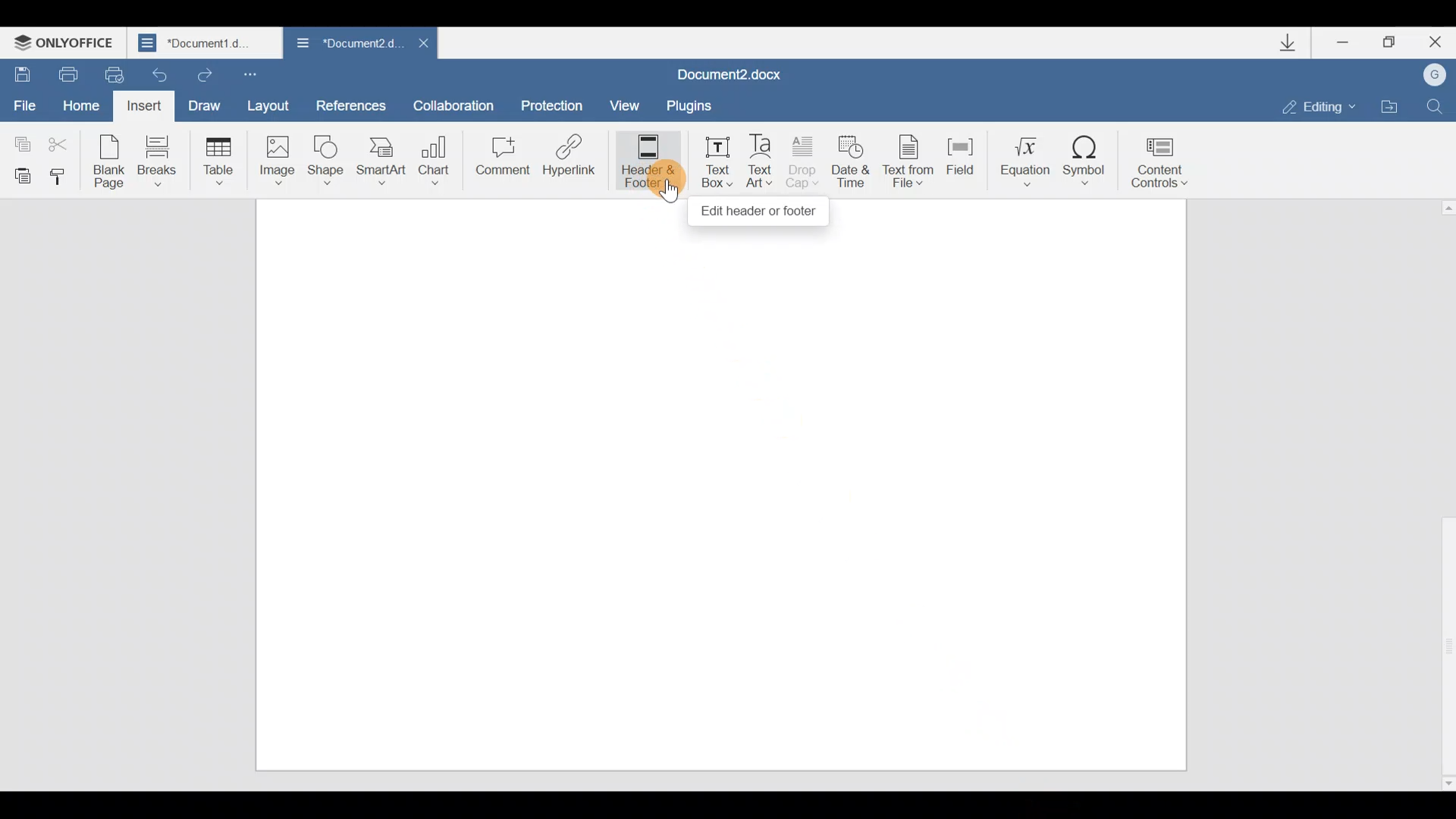  I want to click on Edit header or footer, so click(760, 211).